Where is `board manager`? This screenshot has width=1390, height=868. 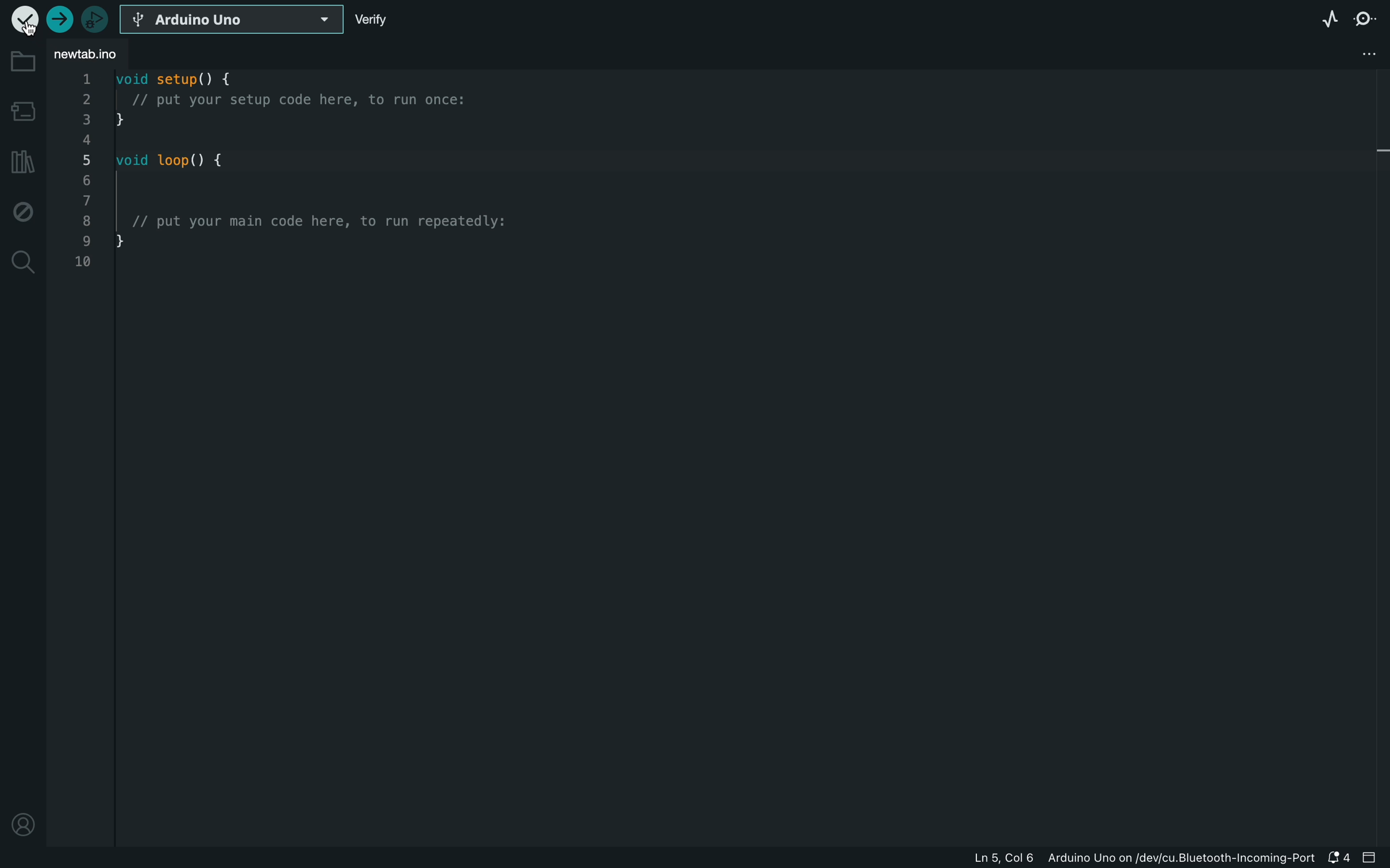
board manager is located at coordinates (22, 108).